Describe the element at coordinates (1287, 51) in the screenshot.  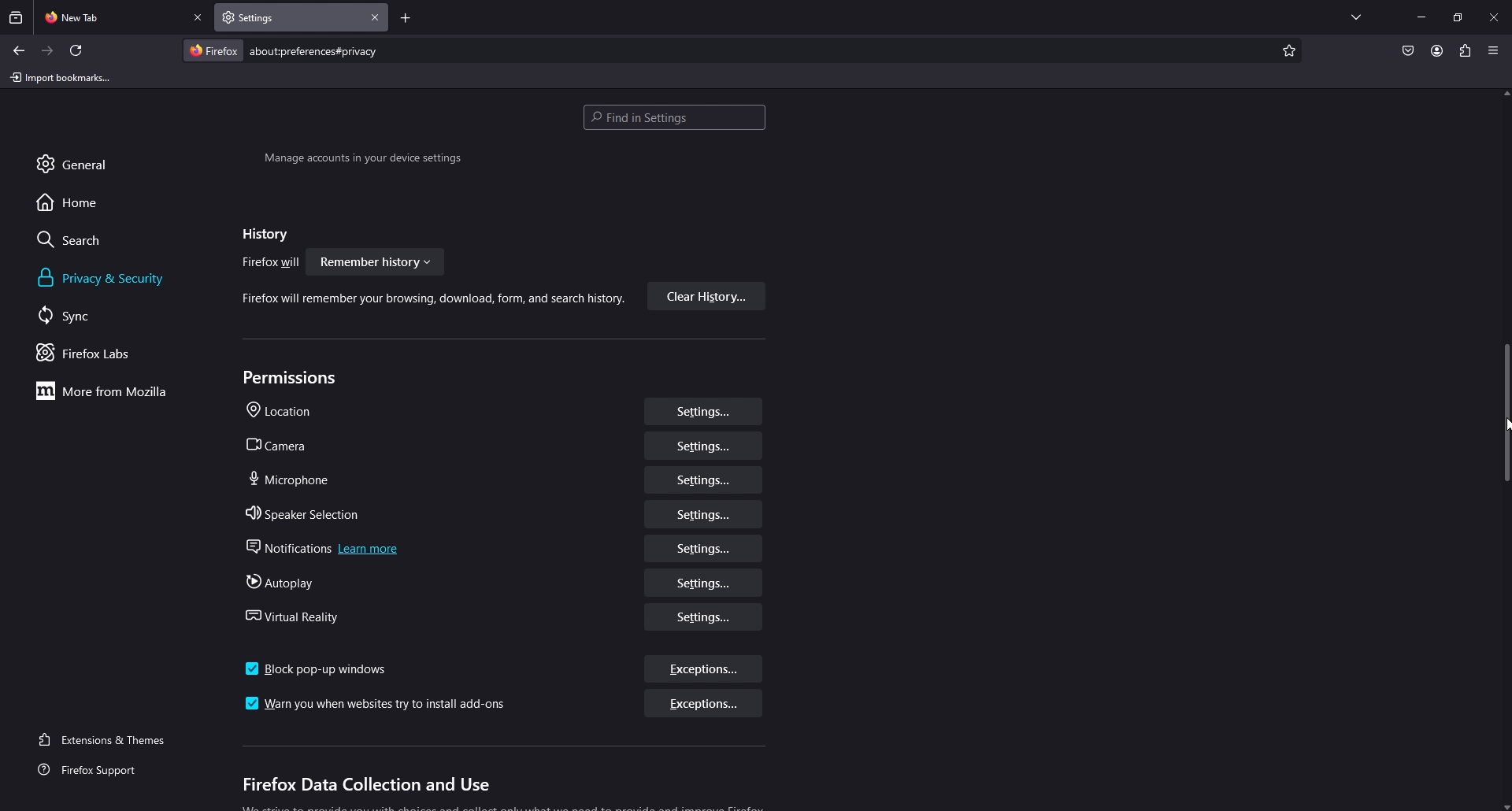
I see `add bookmark` at that location.